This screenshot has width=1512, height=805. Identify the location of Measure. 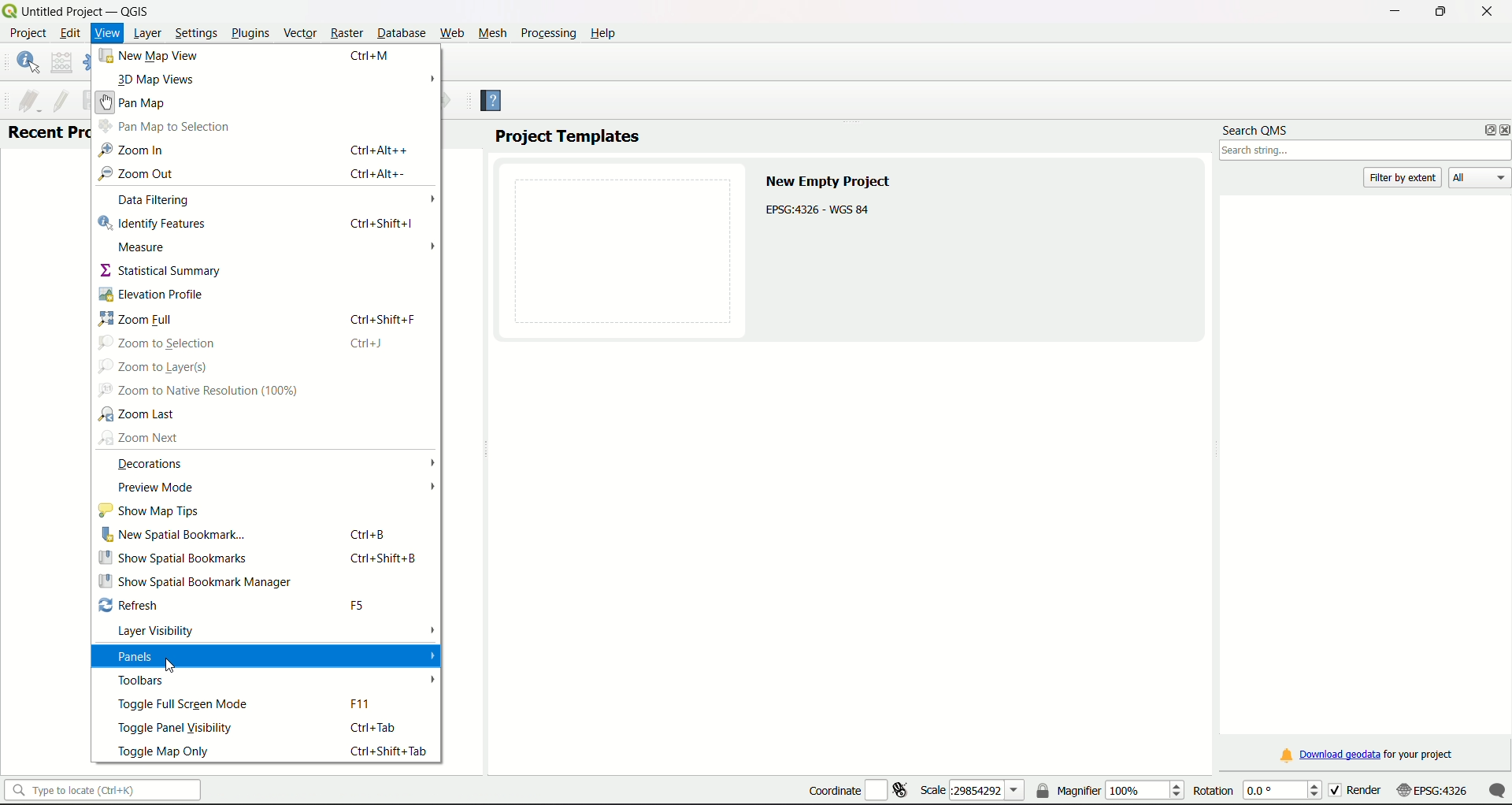
(145, 248).